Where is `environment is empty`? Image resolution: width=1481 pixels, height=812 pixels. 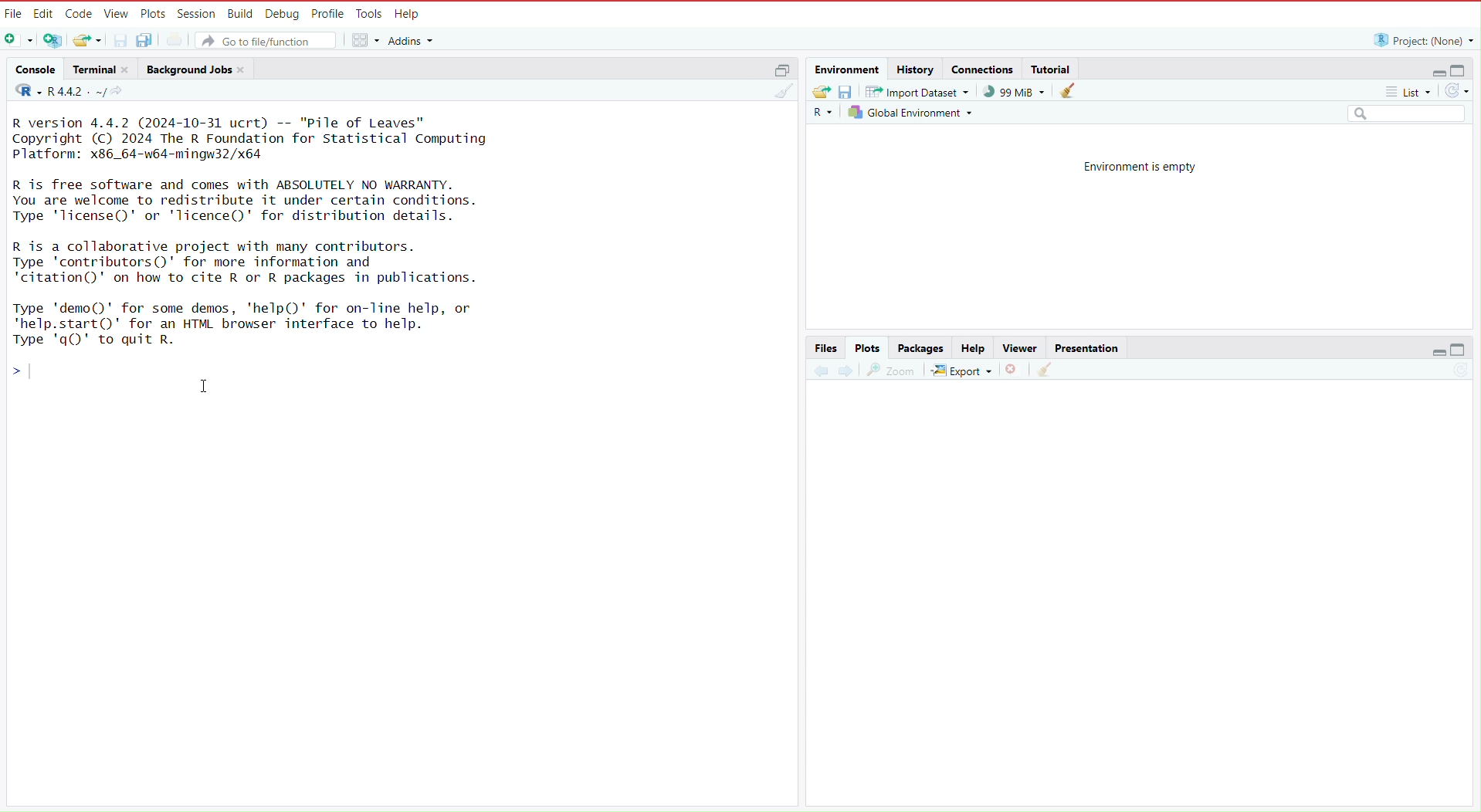
environment is empty is located at coordinates (1131, 165).